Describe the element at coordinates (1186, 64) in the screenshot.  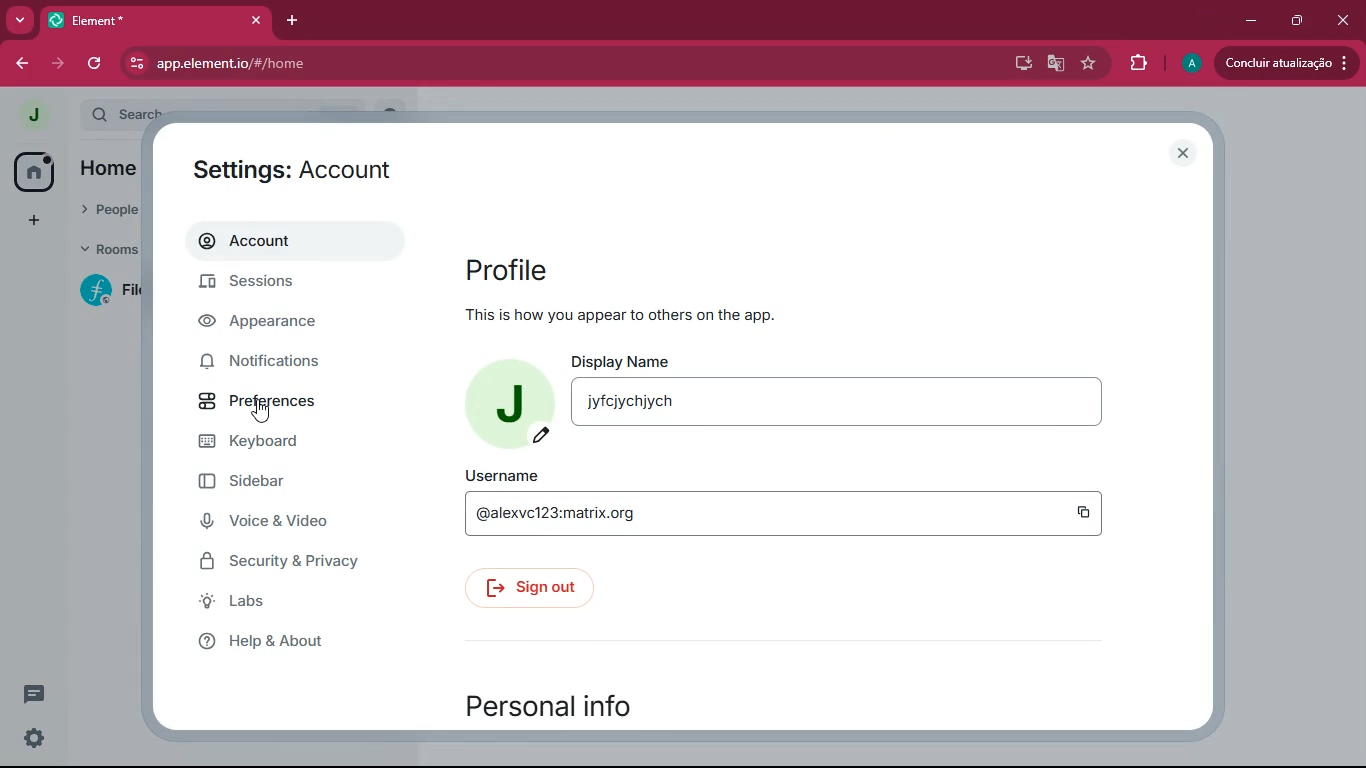
I see `profile ` at that location.